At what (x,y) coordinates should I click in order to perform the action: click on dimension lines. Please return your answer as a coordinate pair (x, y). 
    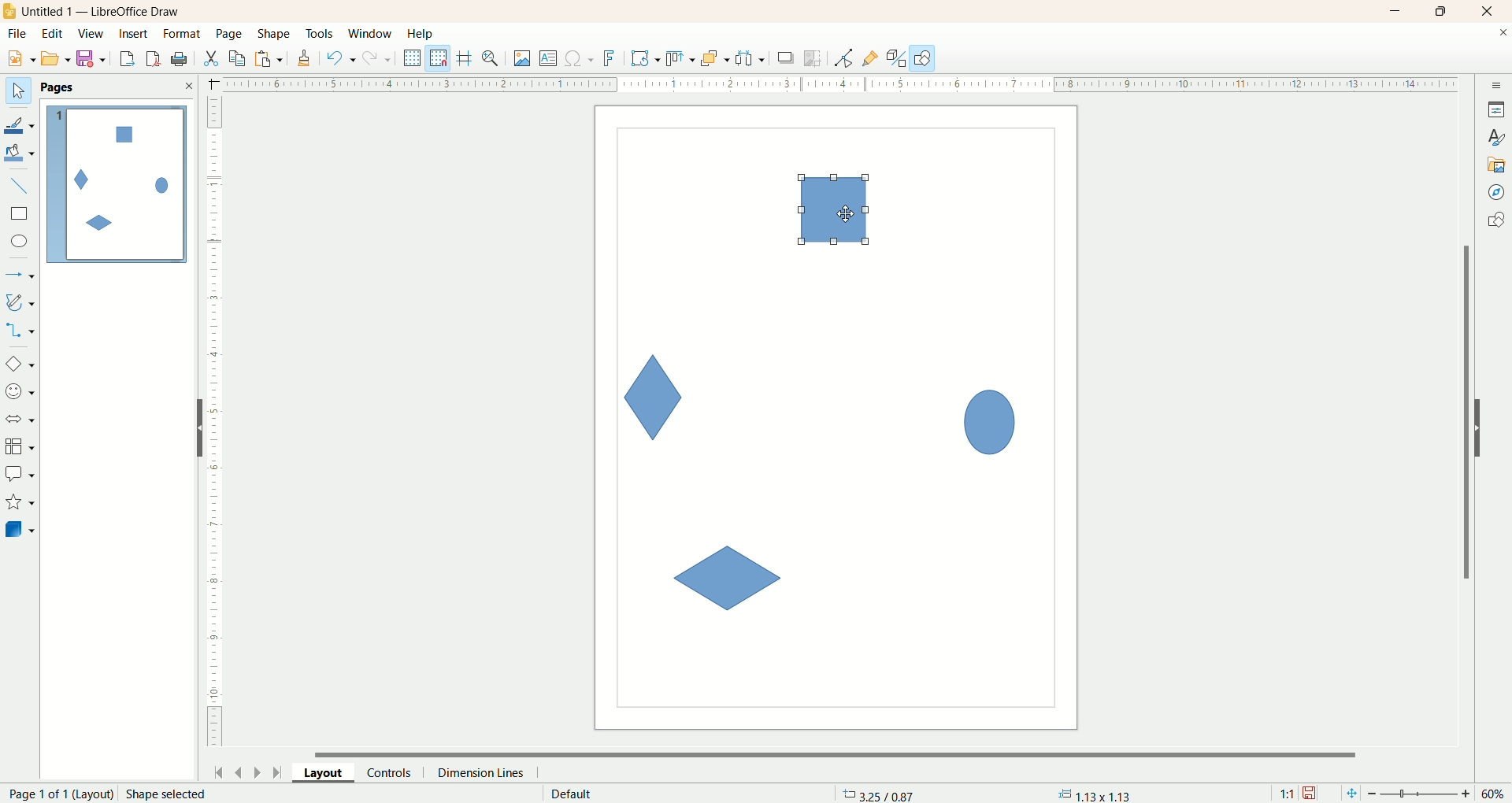
    Looking at the image, I should click on (485, 772).